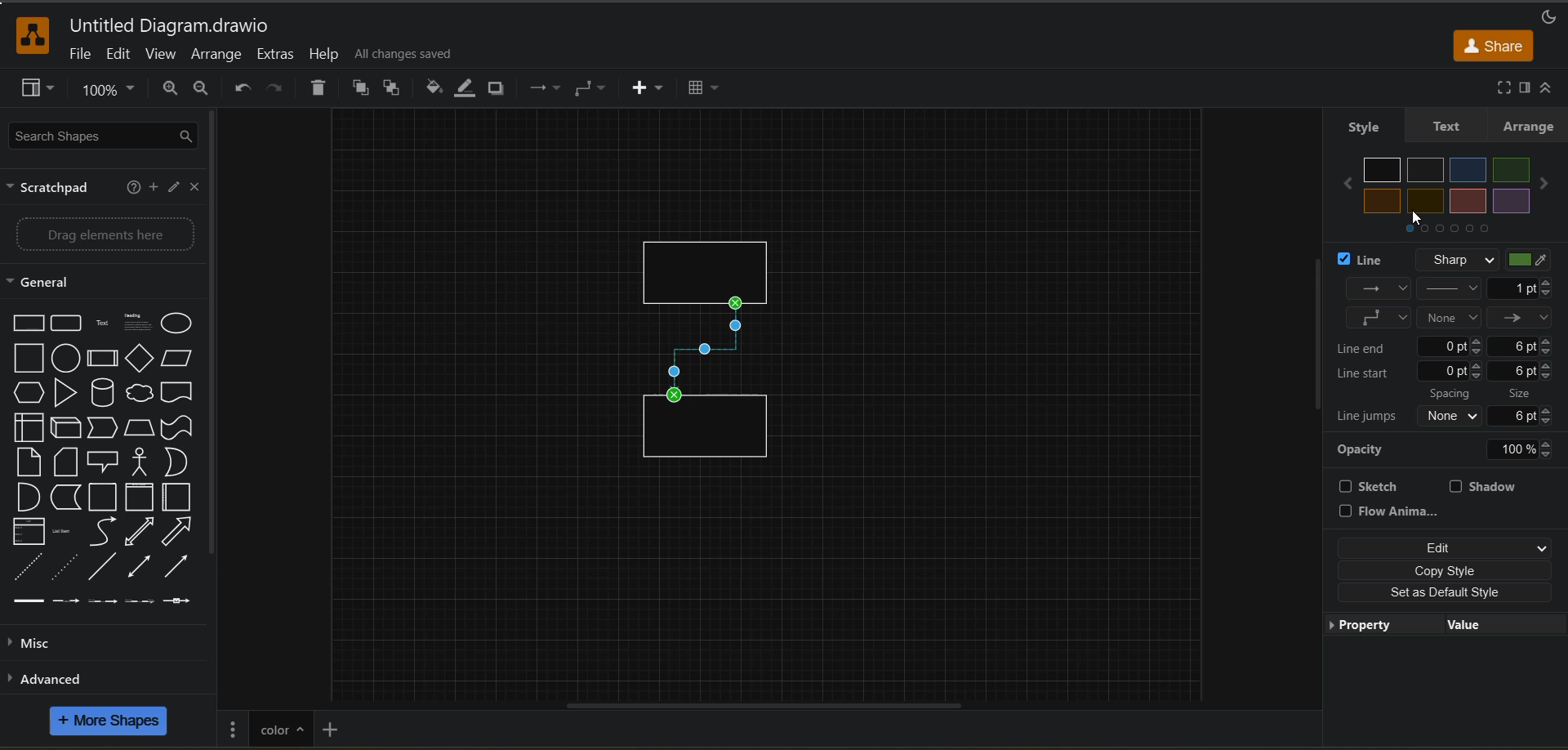  What do you see at coordinates (171, 90) in the screenshot?
I see `zoom in` at bounding box center [171, 90].